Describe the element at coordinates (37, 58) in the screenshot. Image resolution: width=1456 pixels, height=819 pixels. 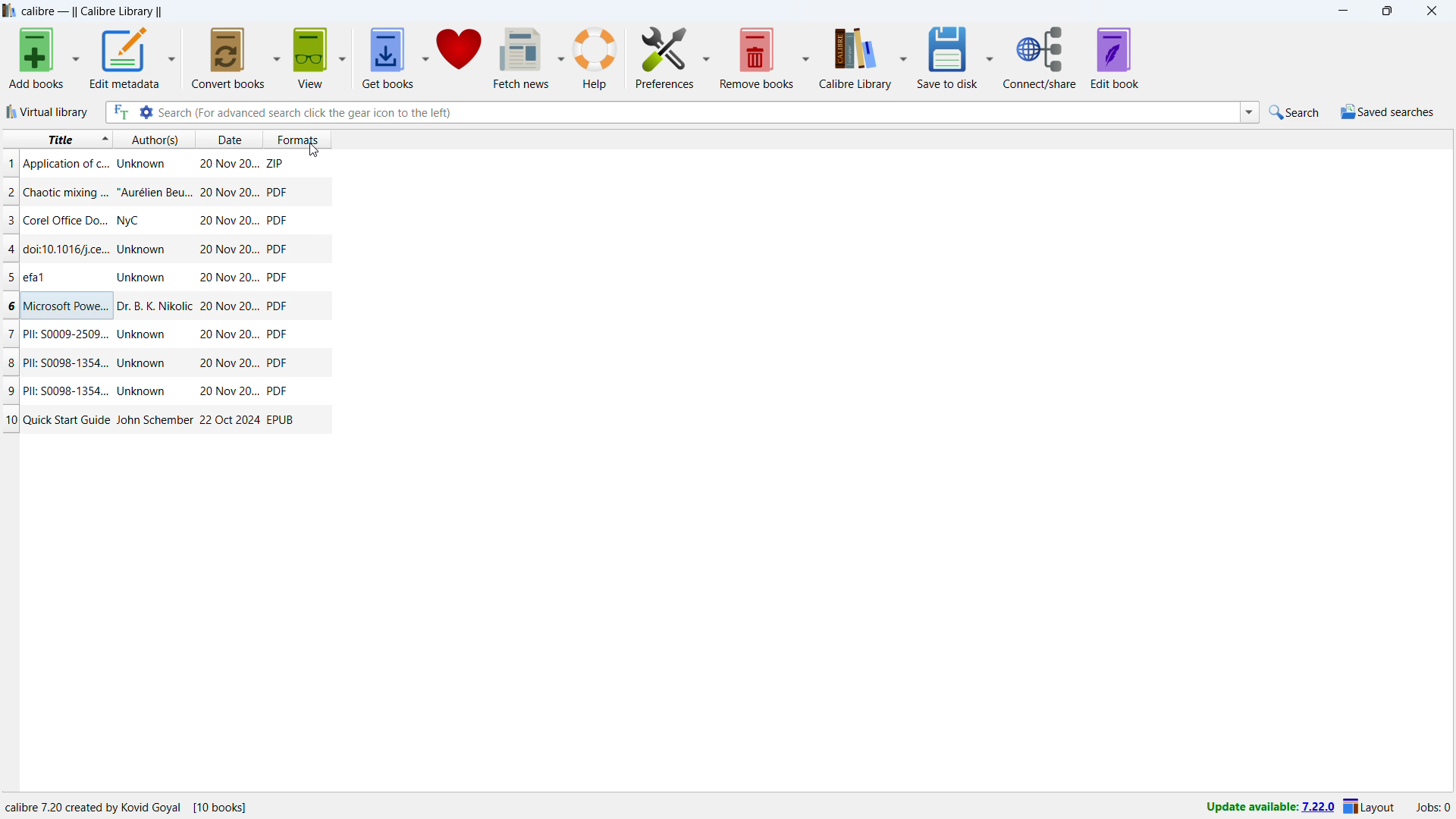
I see `add books` at that location.